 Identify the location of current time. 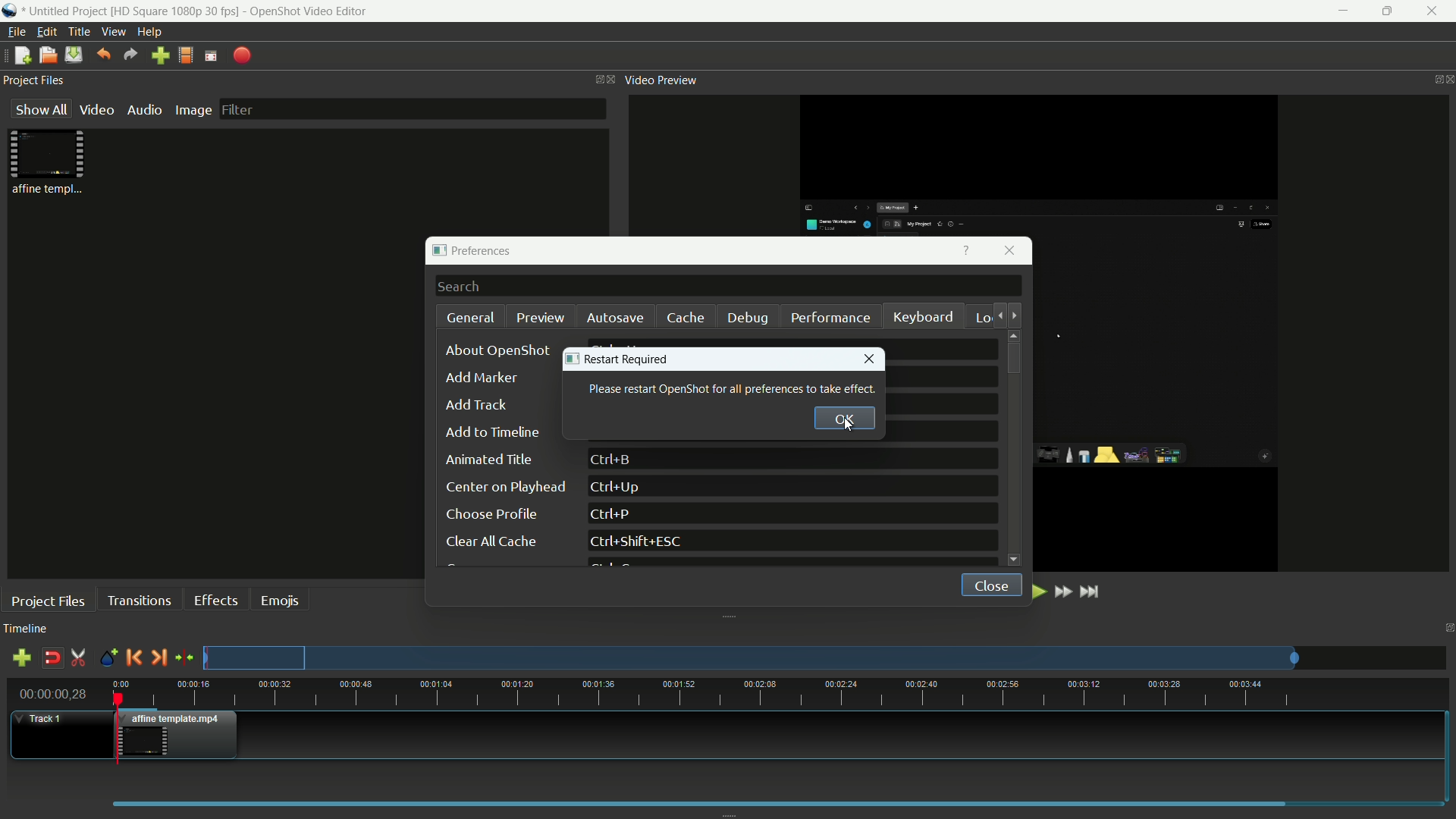
(55, 693).